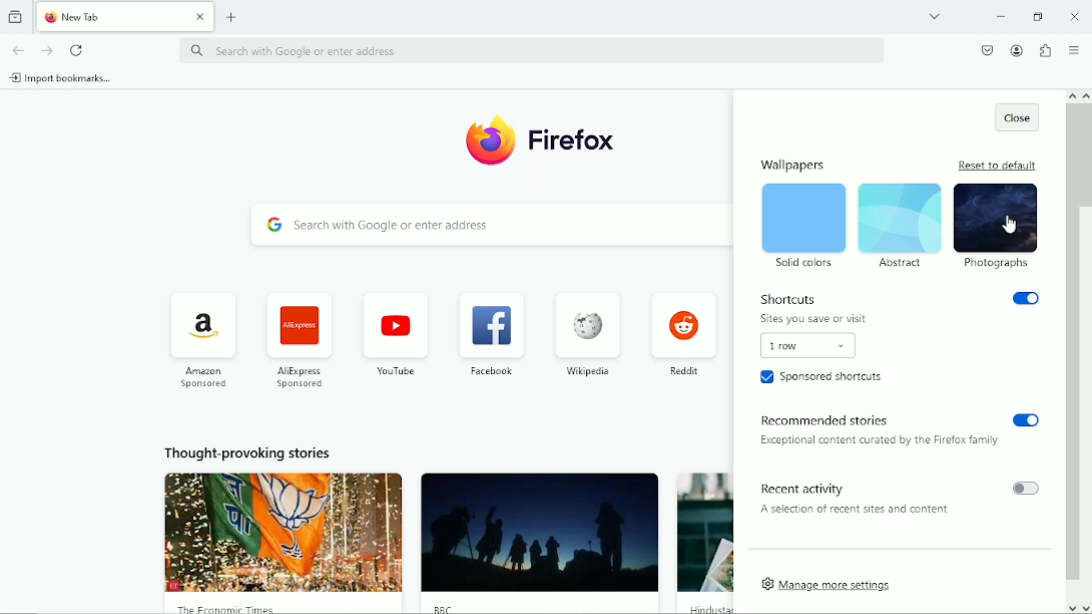 The width and height of the screenshot is (1092, 614). What do you see at coordinates (803, 227) in the screenshot?
I see `solid colors` at bounding box center [803, 227].